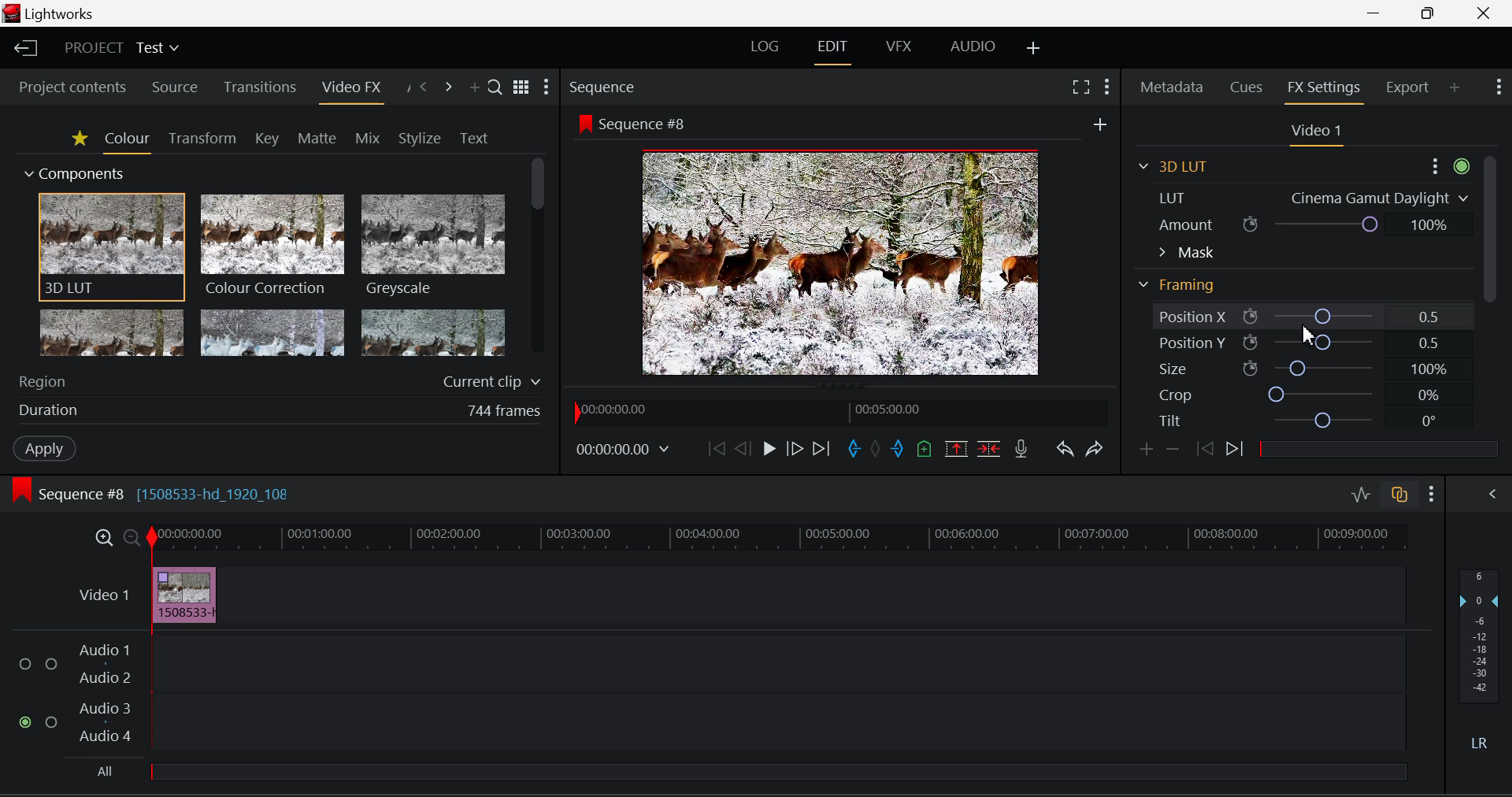 Image resolution: width=1512 pixels, height=797 pixels. I want to click on Matte, so click(313, 136).